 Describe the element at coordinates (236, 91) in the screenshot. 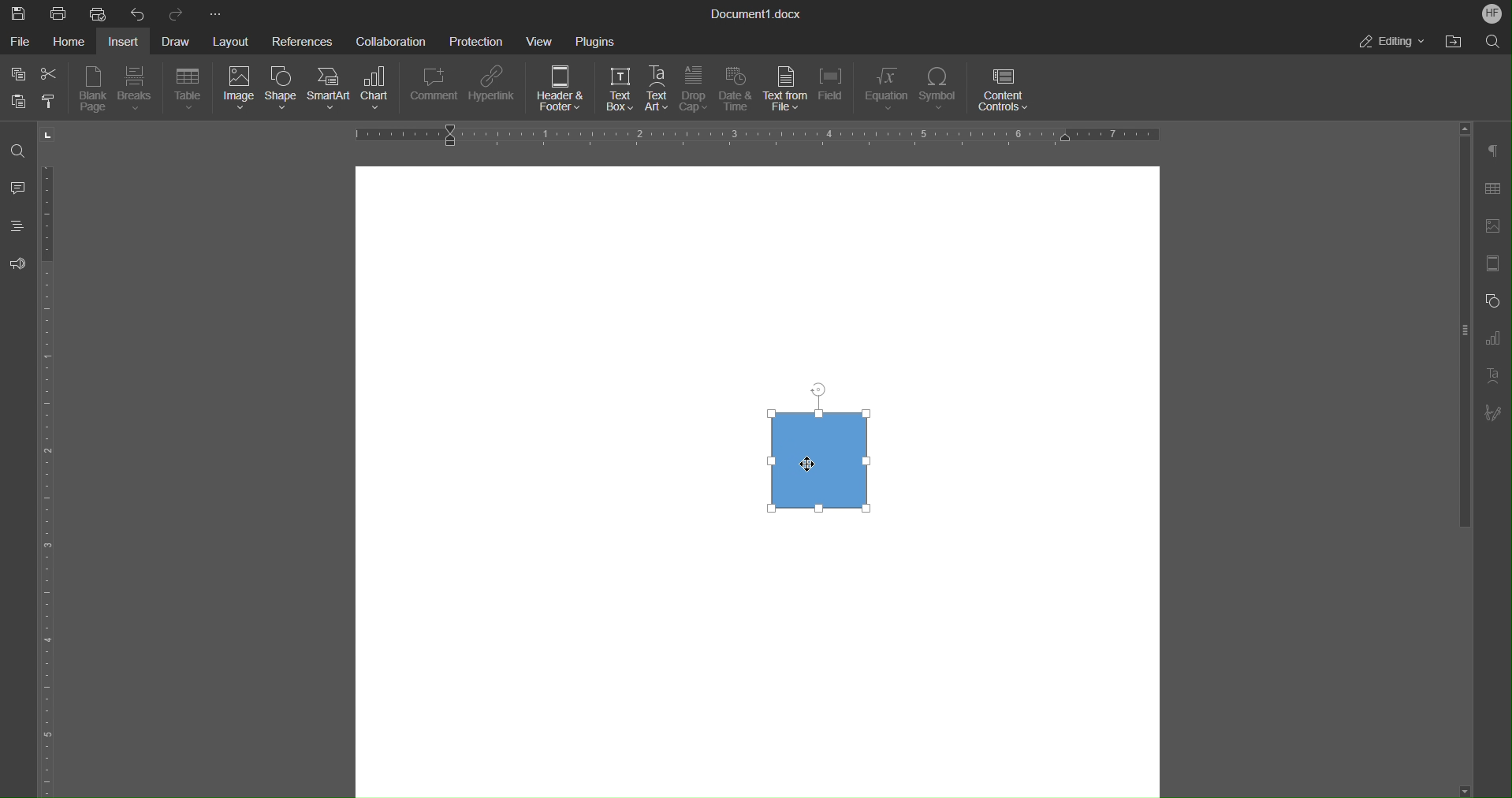

I see `Image` at that location.